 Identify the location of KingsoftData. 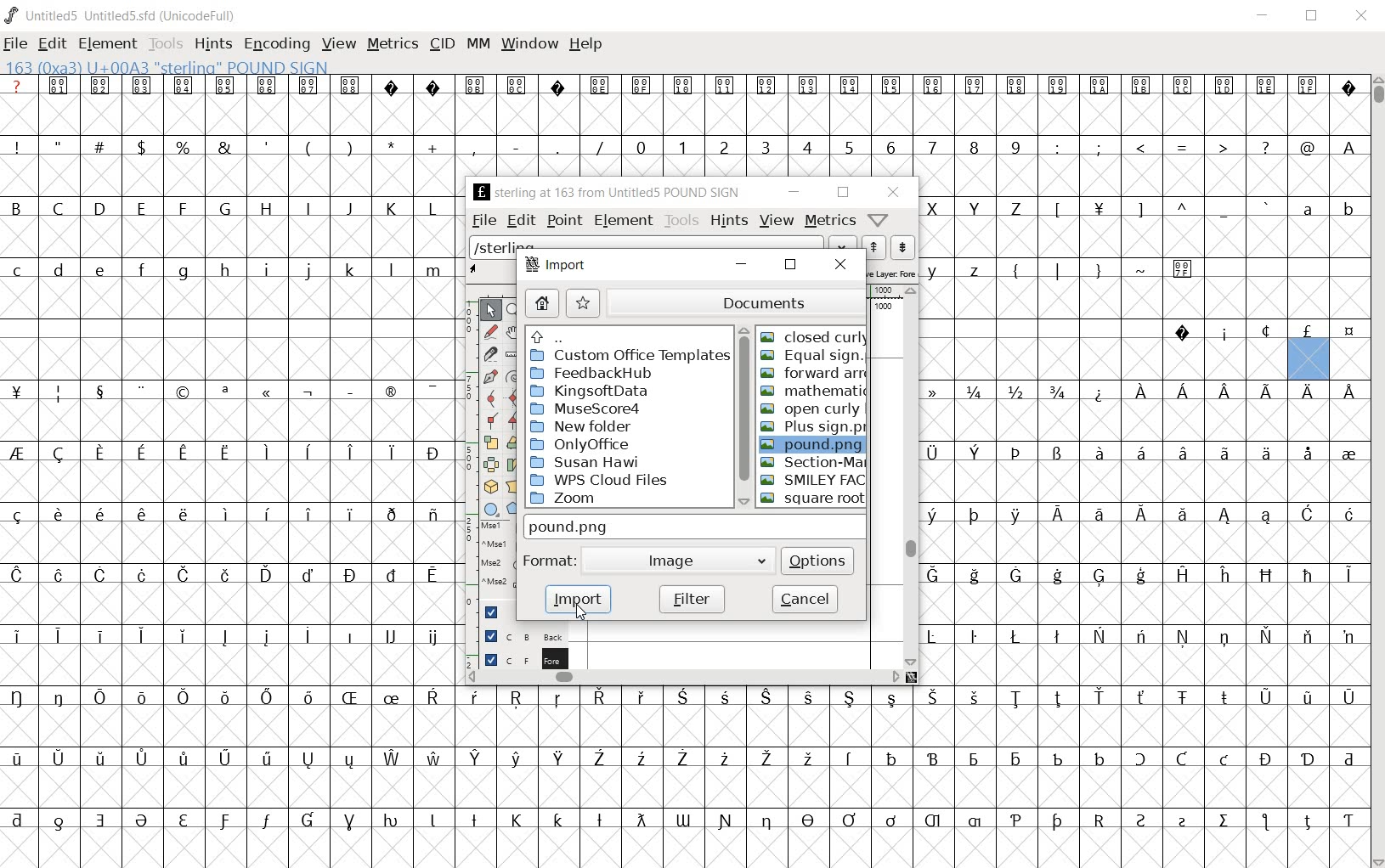
(598, 390).